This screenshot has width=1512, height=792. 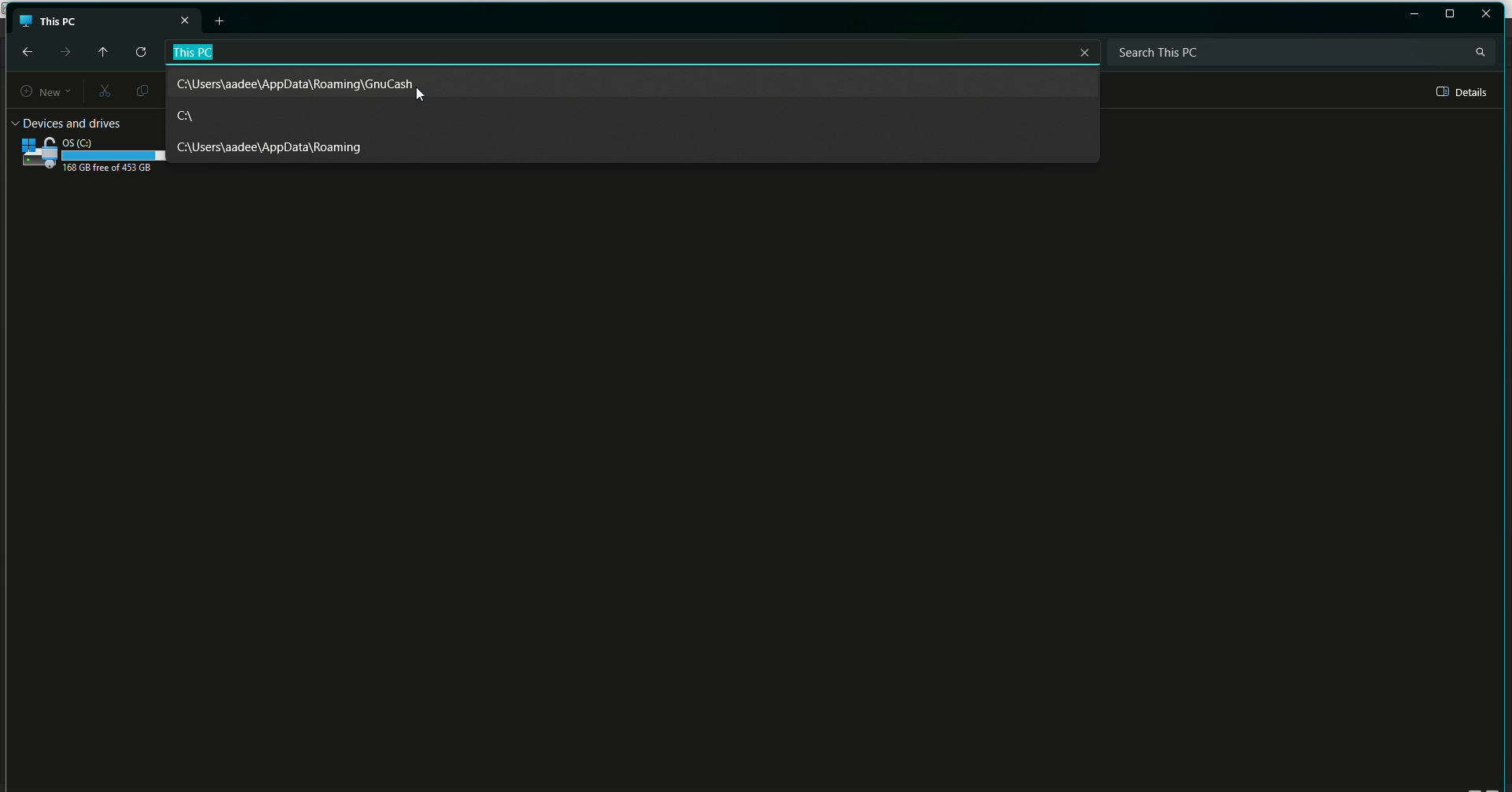 I want to click on File path 1, so click(x=295, y=84).